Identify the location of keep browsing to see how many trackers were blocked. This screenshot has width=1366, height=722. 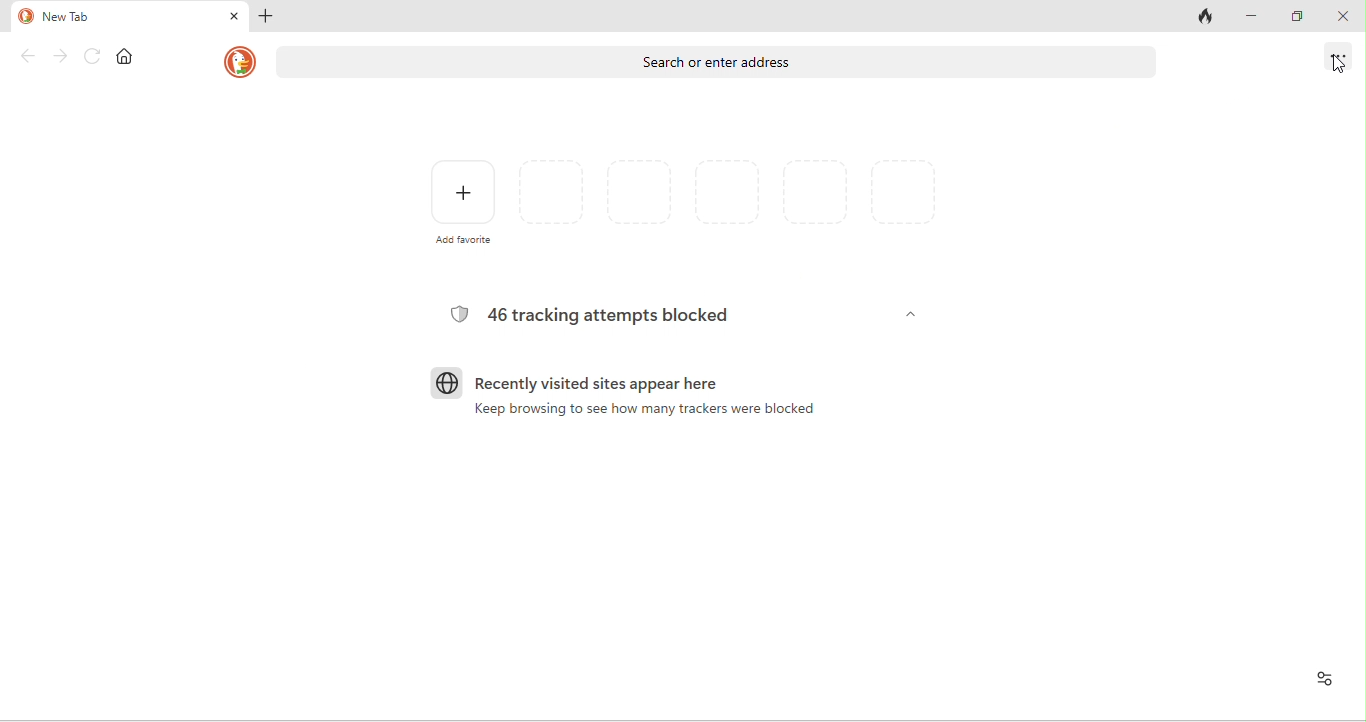
(641, 418).